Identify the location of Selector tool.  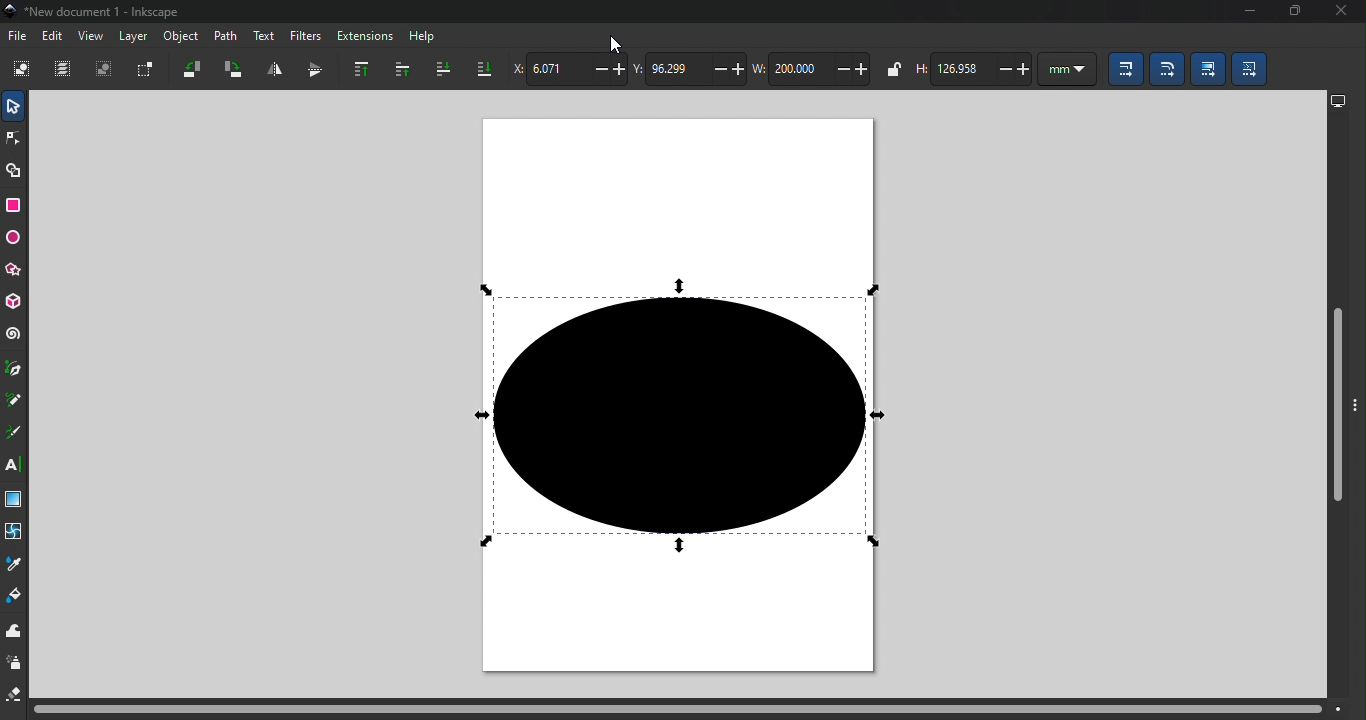
(11, 106).